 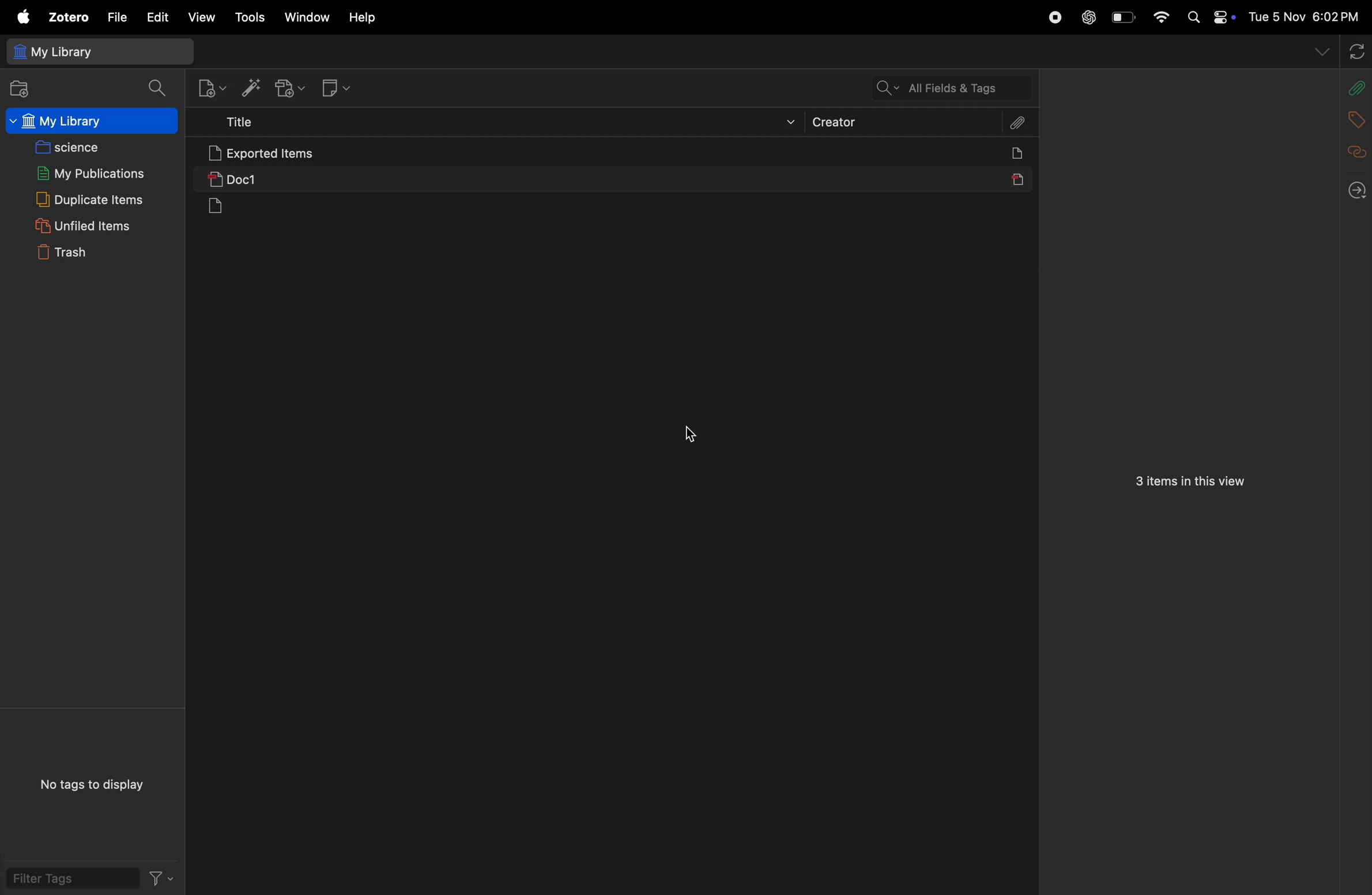 What do you see at coordinates (1358, 51) in the screenshot?
I see `sync` at bounding box center [1358, 51].